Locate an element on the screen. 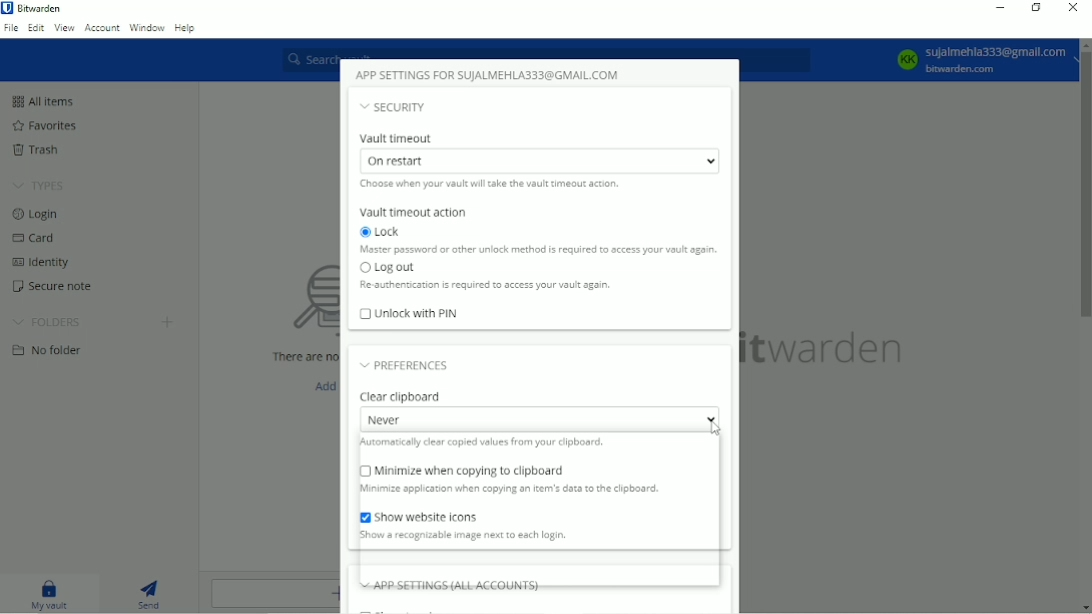 The image size is (1092, 614). Bitwarden is located at coordinates (68, 10).